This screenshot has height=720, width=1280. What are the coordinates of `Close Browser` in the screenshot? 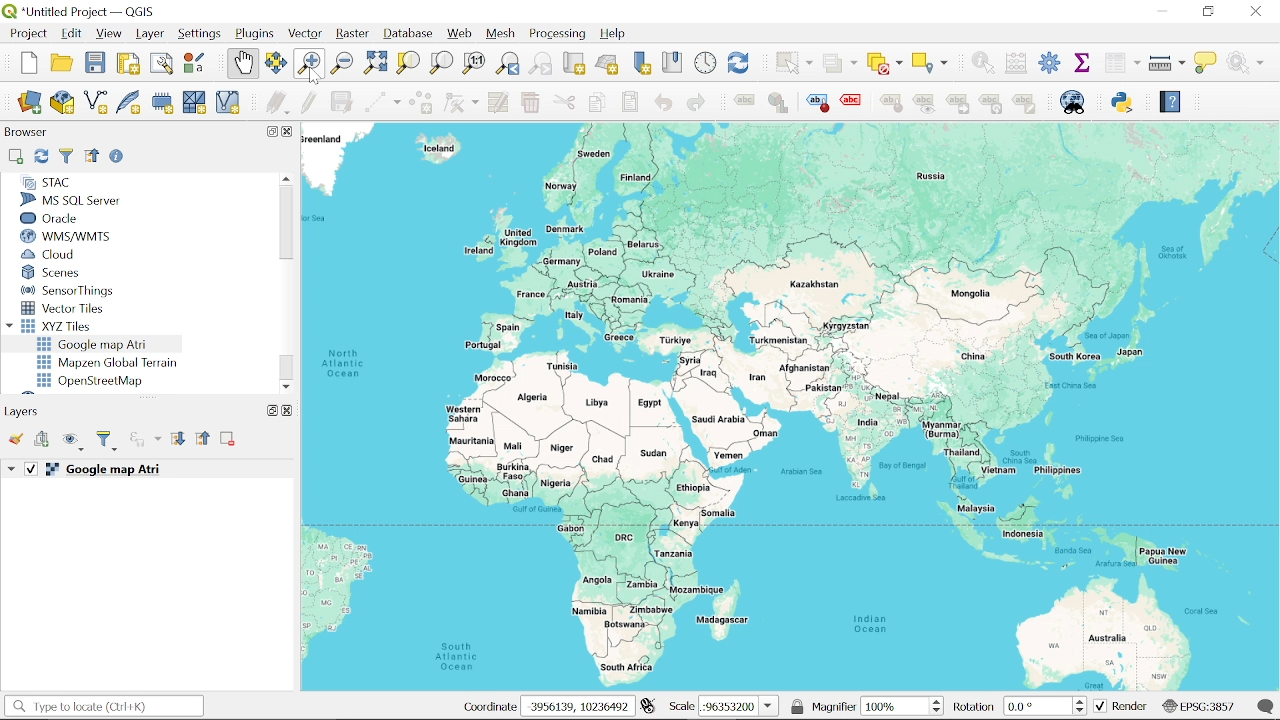 It's located at (289, 132).